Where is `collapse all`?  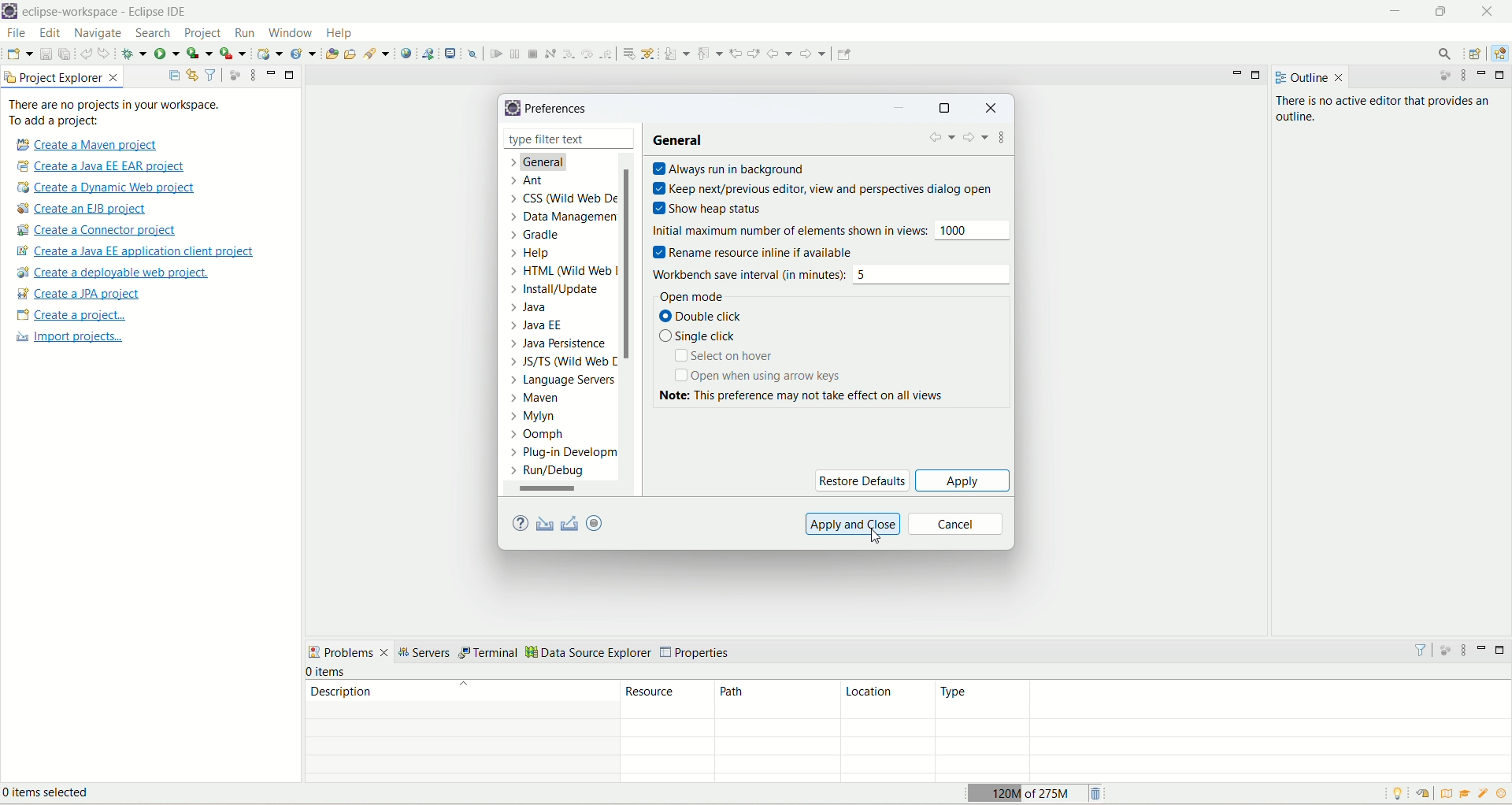
collapse all is located at coordinates (174, 76).